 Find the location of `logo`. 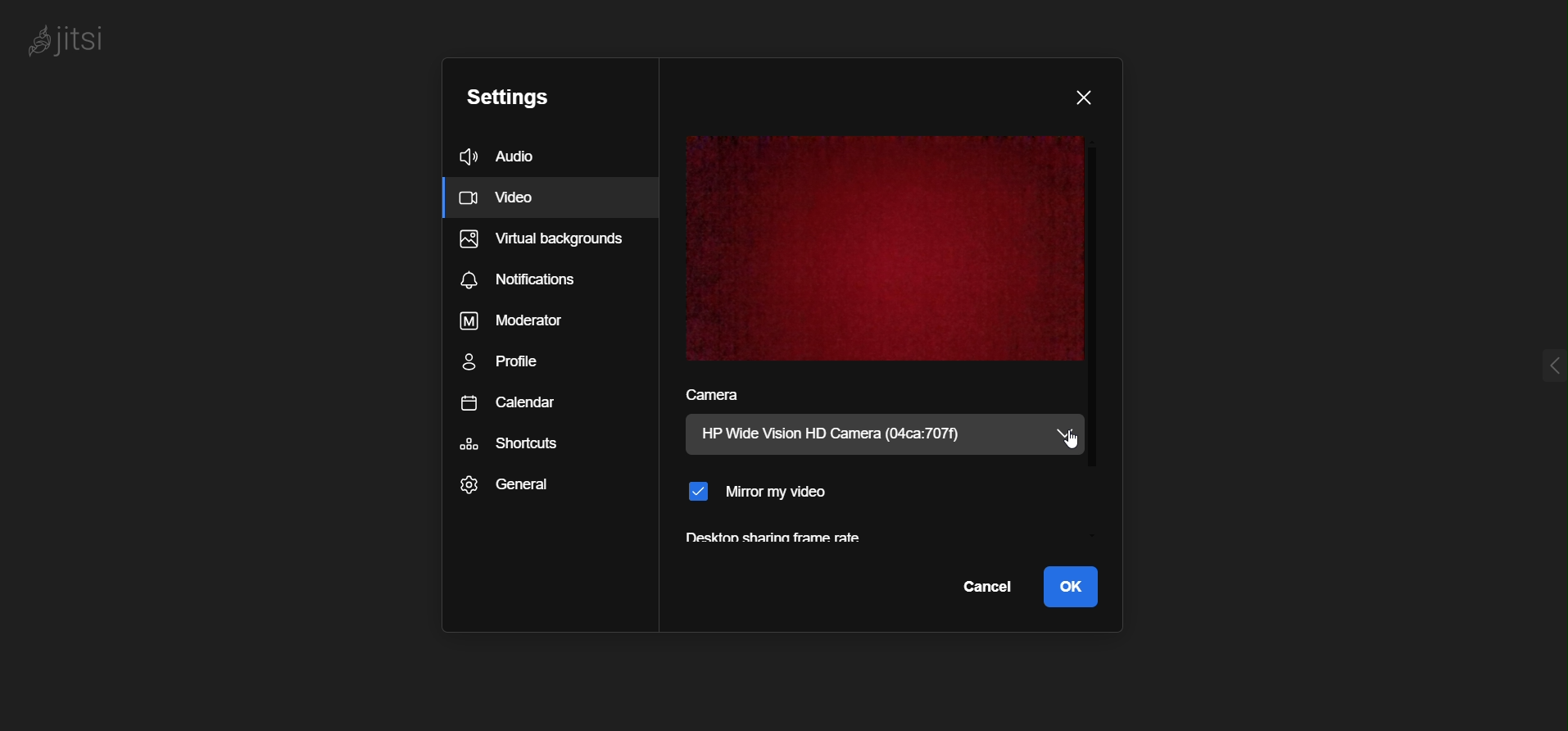

logo is located at coordinates (78, 41).